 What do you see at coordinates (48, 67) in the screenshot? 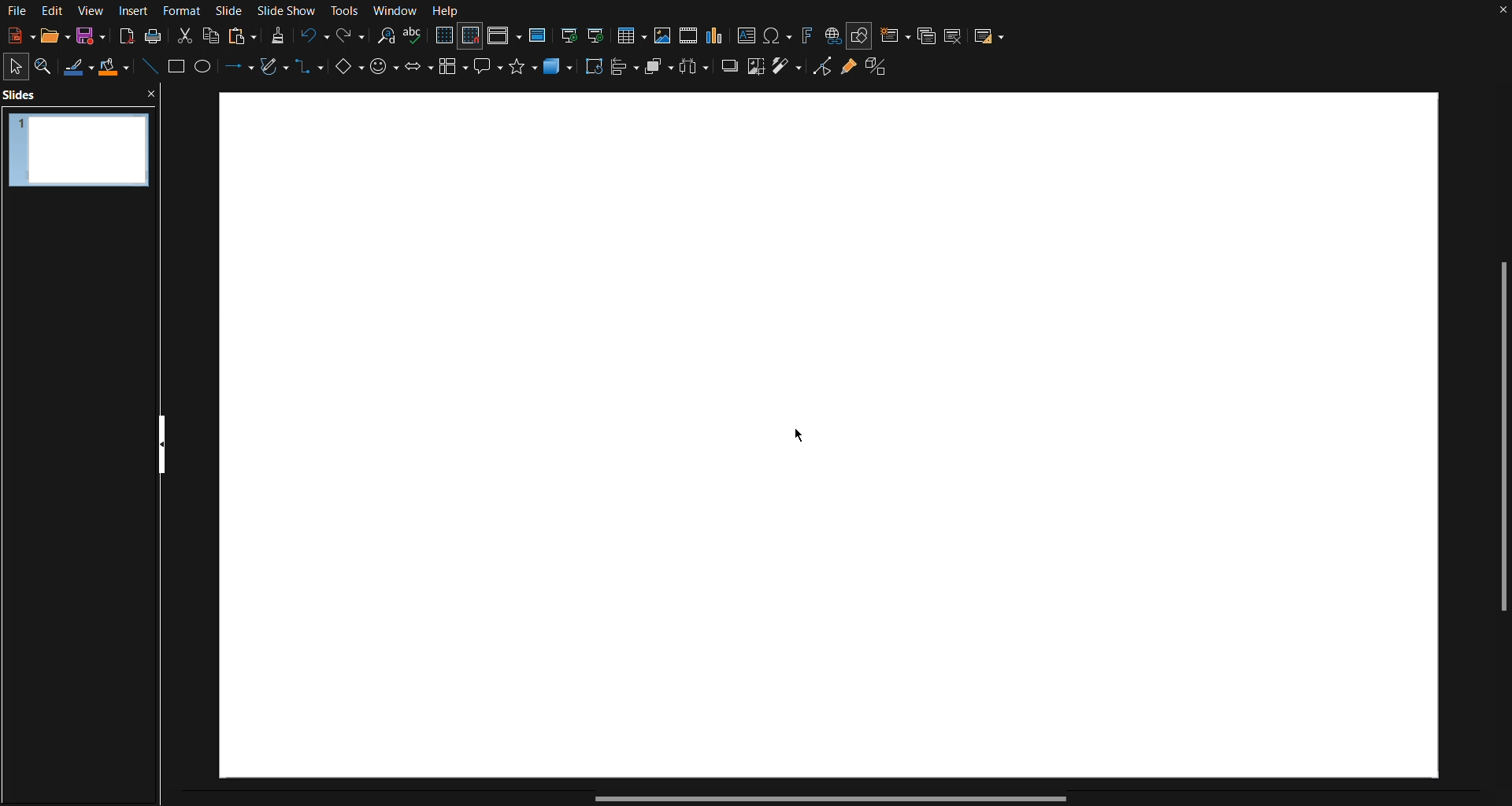
I see `Zoom and Pan` at bounding box center [48, 67].